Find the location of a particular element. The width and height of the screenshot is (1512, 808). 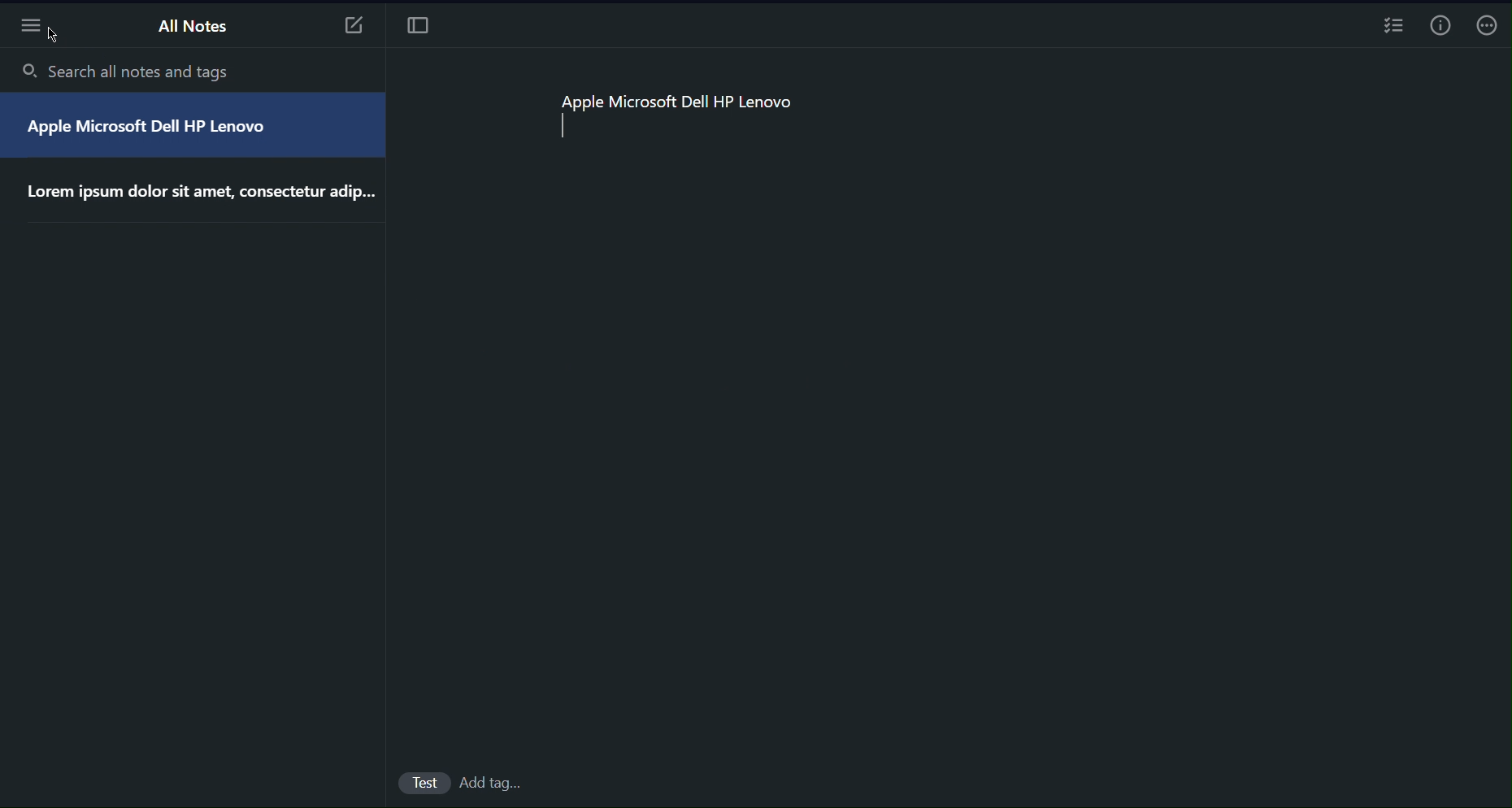

add Tags is located at coordinates (485, 783).